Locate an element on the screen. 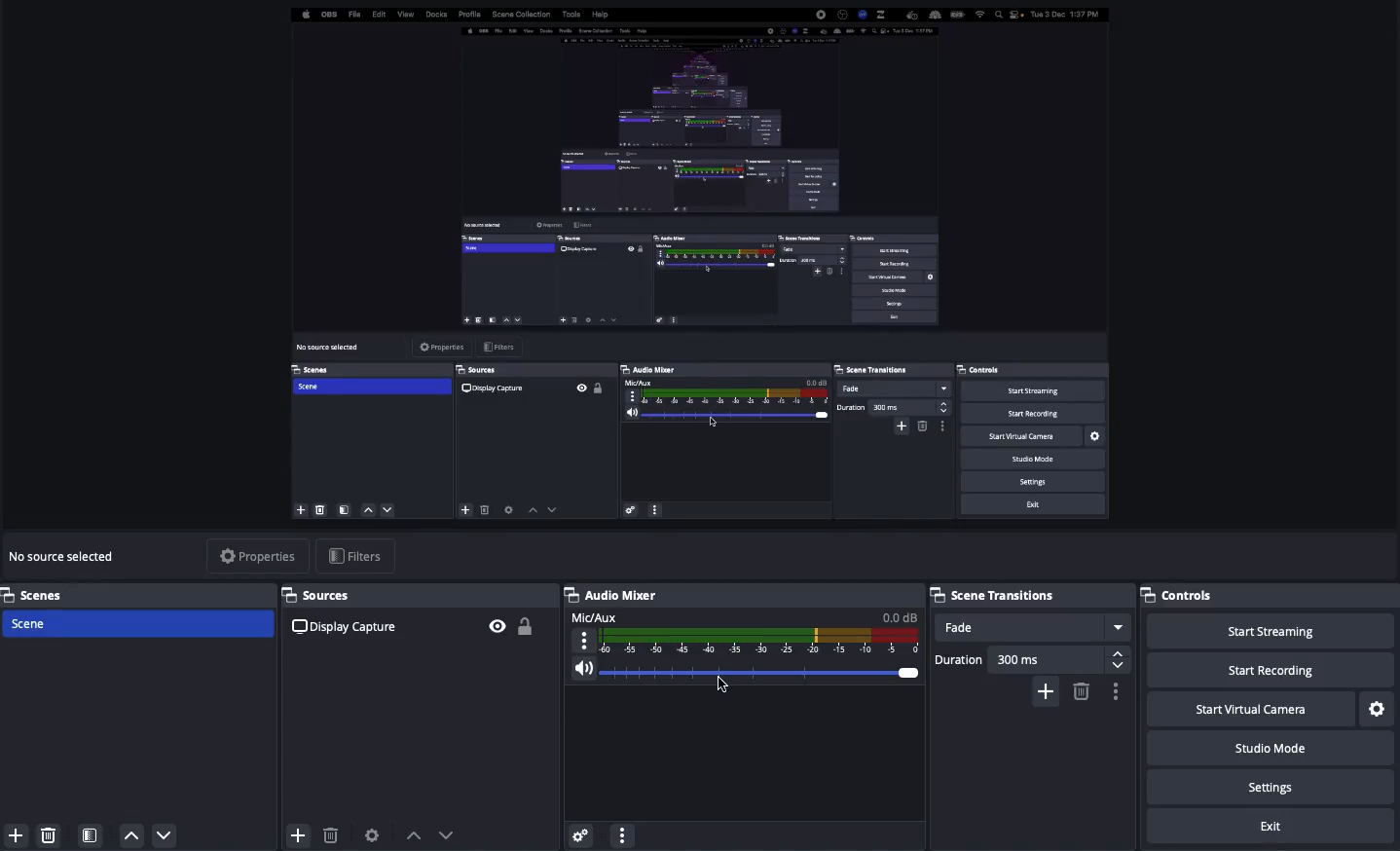 This screenshot has width=1400, height=851. Properties is located at coordinates (257, 555).